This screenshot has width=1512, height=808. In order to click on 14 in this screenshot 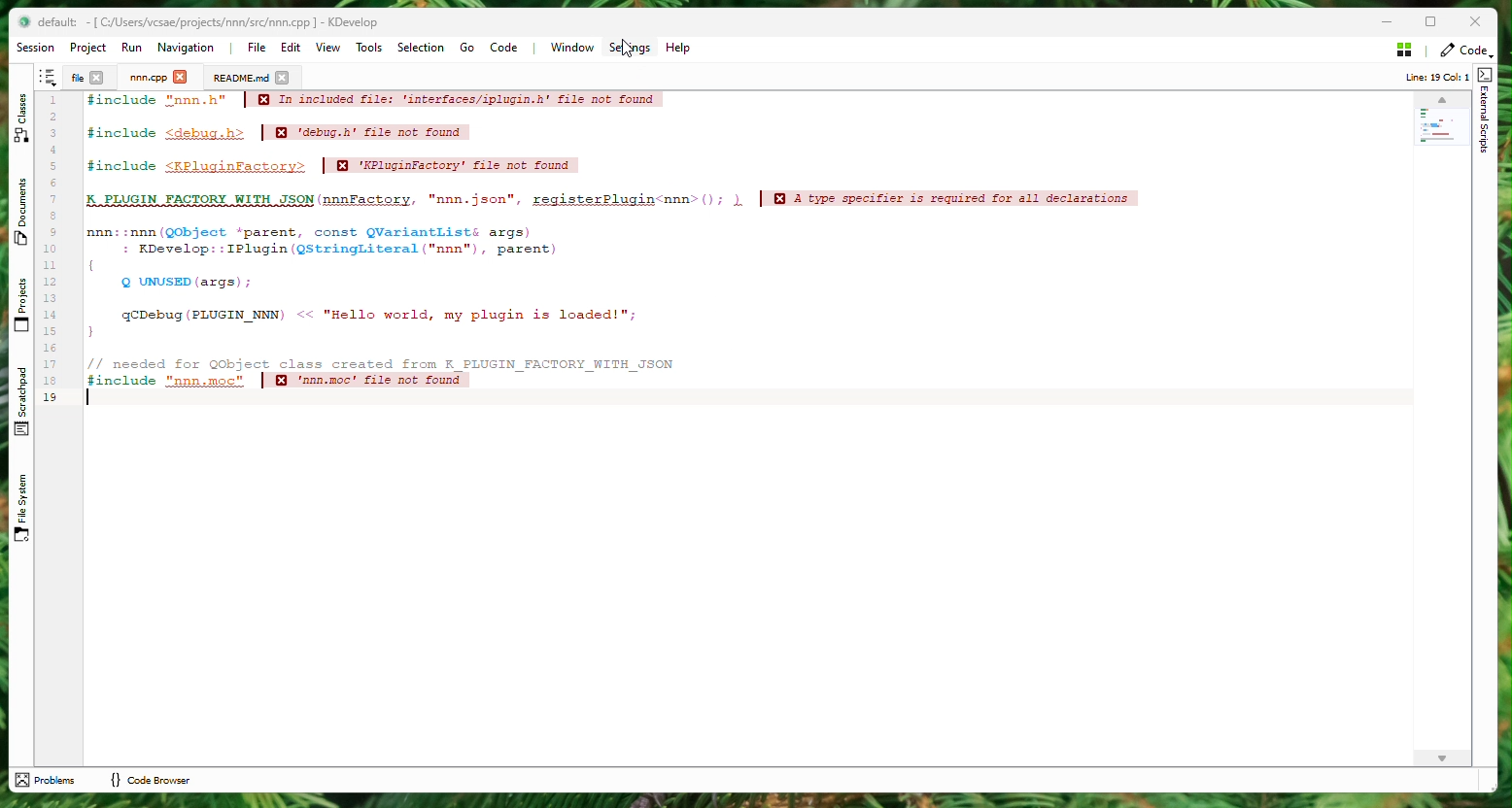, I will do `click(51, 315)`.